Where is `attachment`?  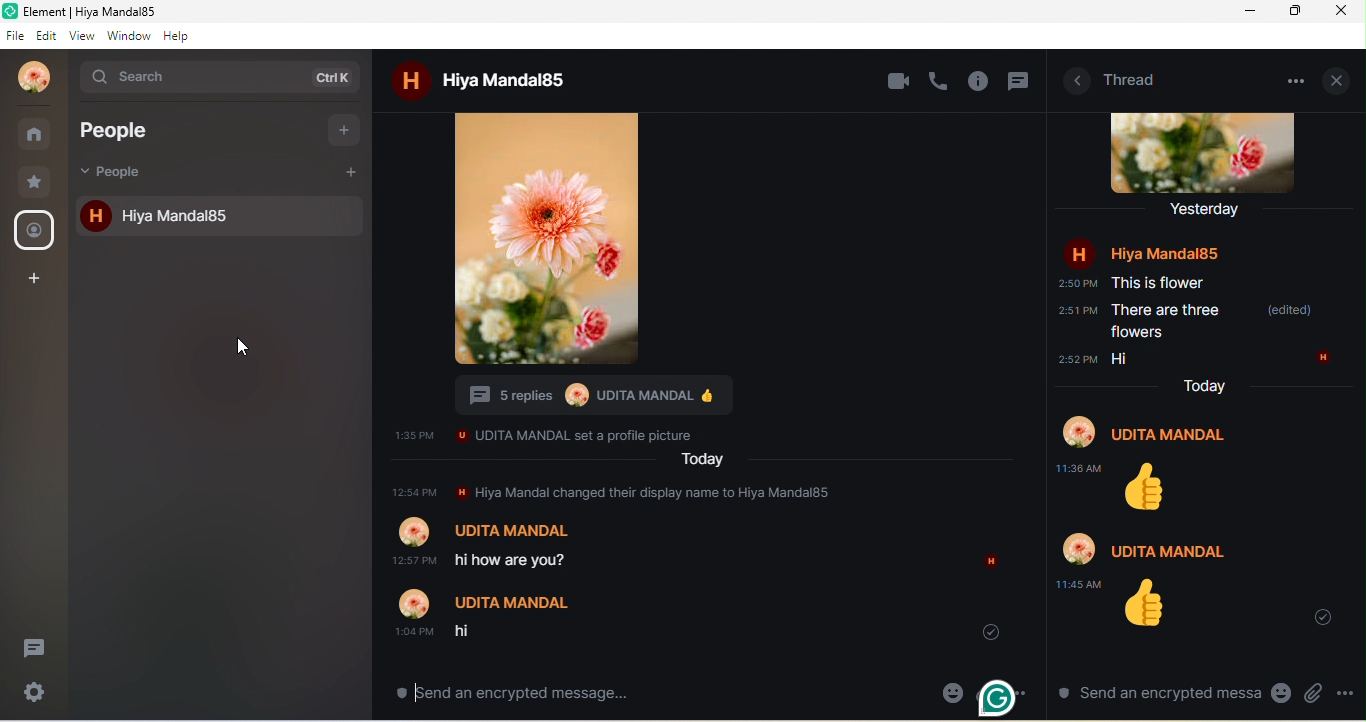
attachment is located at coordinates (1313, 693).